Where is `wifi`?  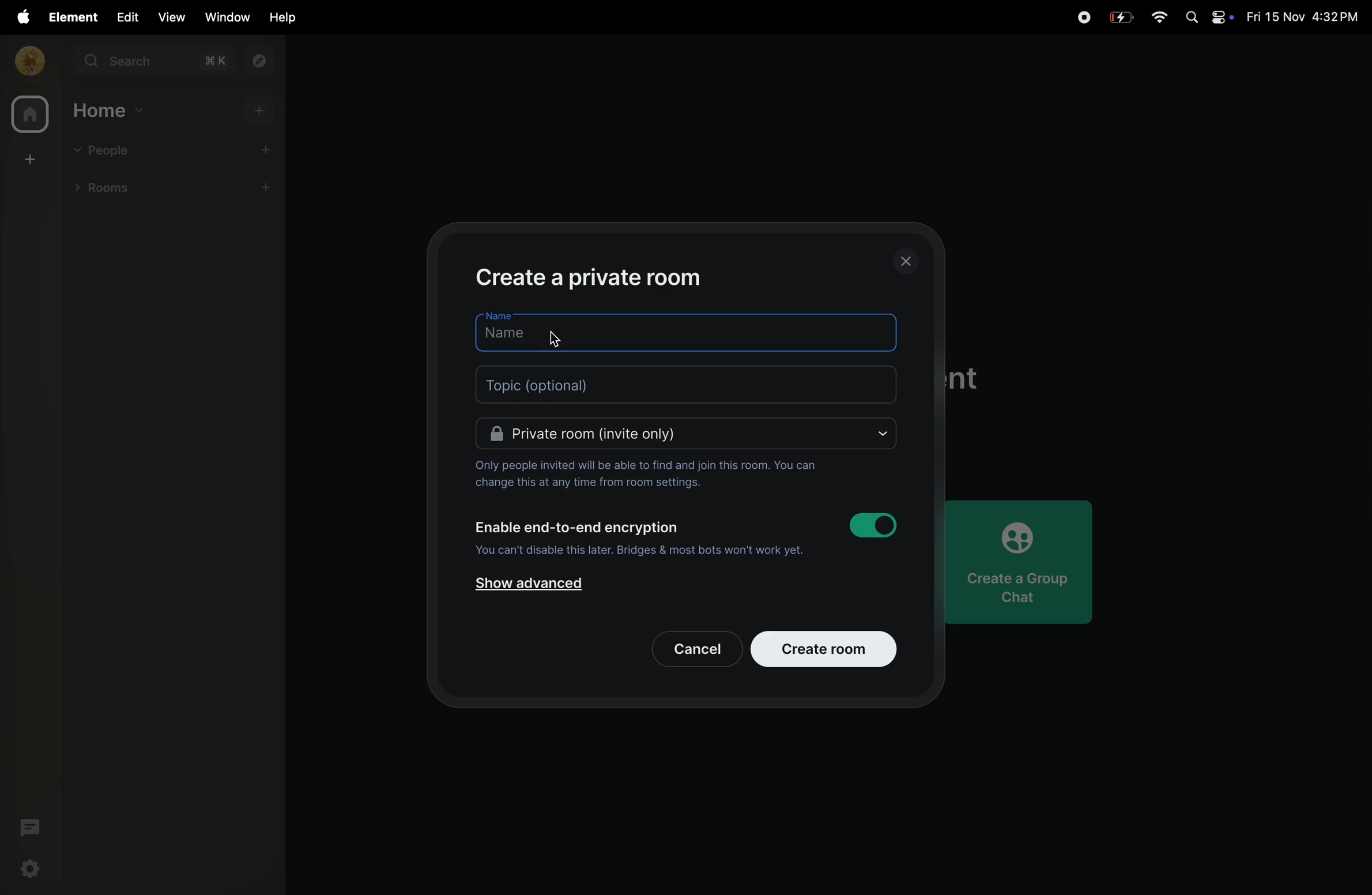
wifi is located at coordinates (1159, 18).